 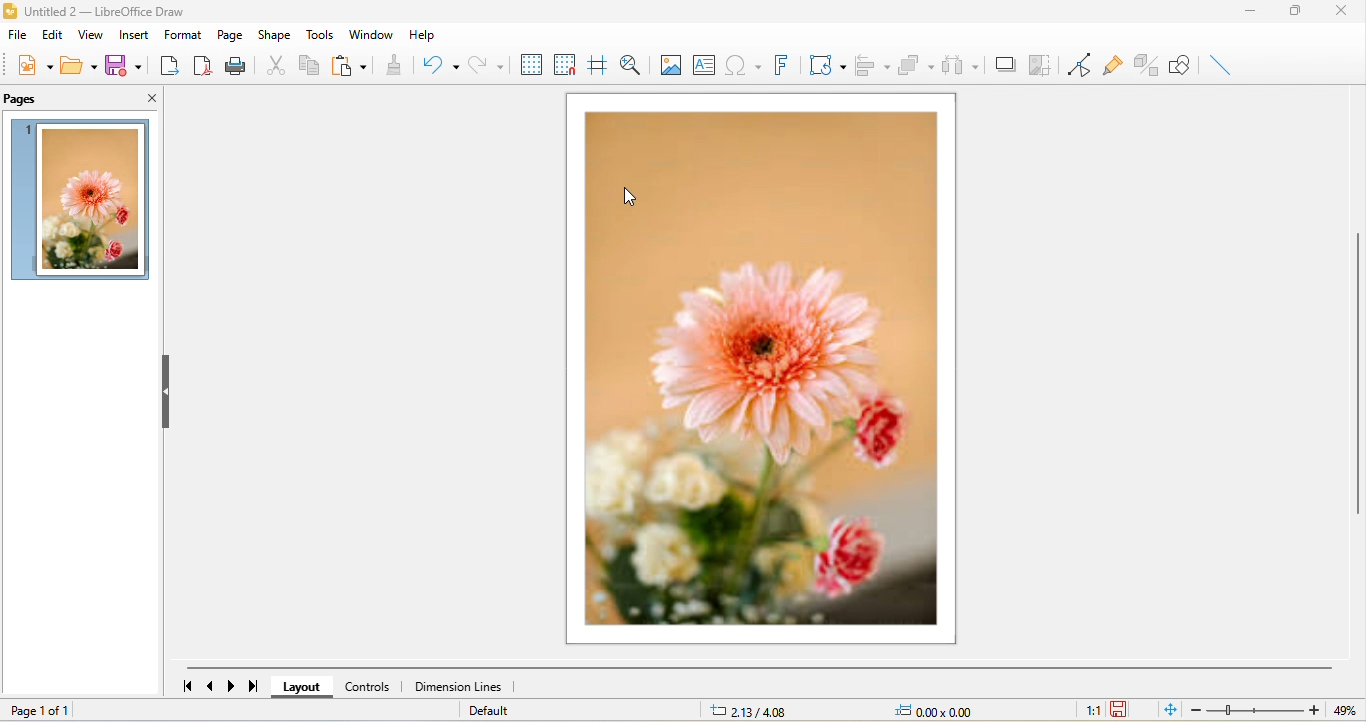 What do you see at coordinates (491, 711) in the screenshot?
I see `default` at bounding box center [491, 711].